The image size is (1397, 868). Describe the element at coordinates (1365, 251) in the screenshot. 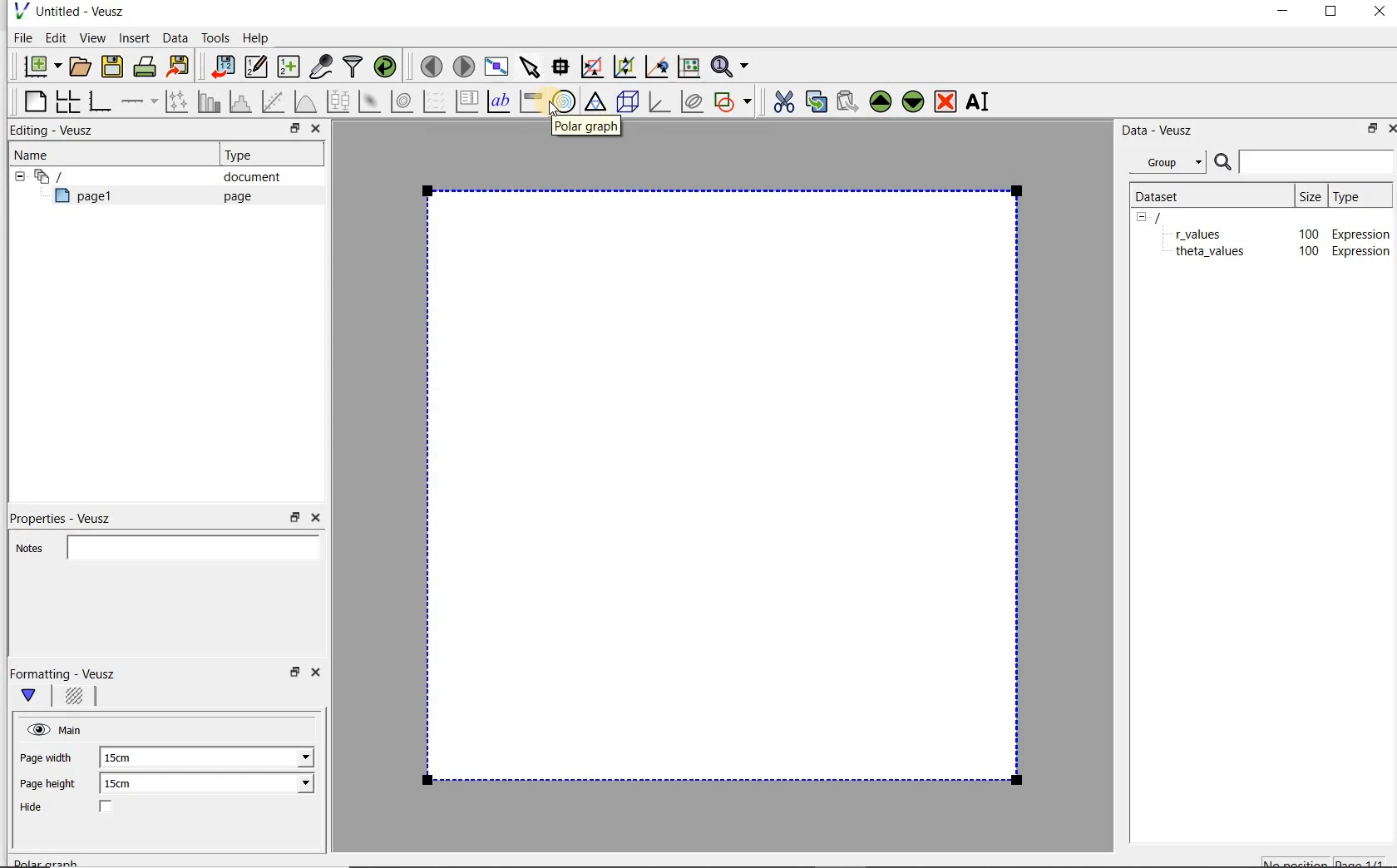

I see `Expression` at that location.